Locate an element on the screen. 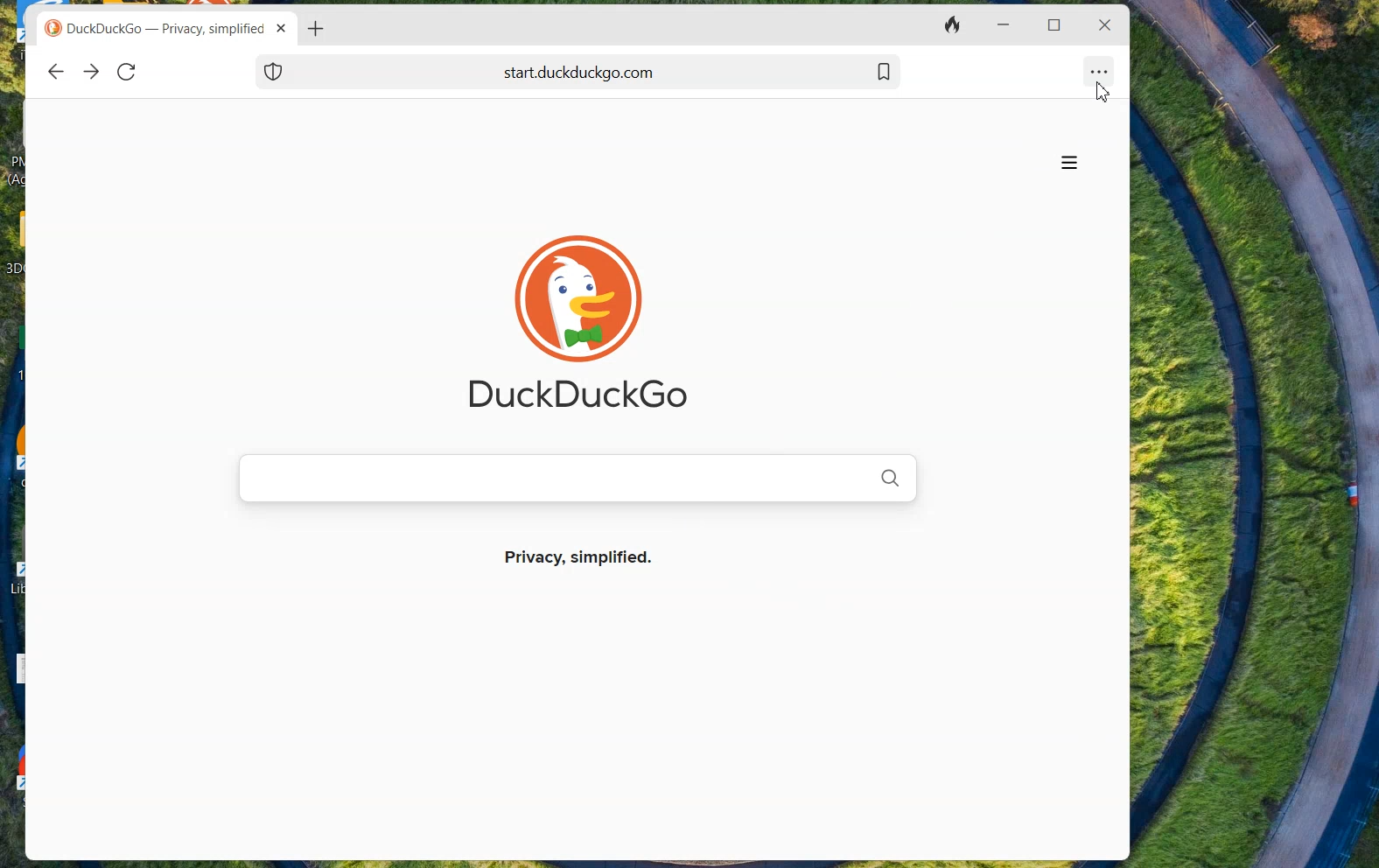  Close Tabs and clear data is located at coordinates (955, 25).